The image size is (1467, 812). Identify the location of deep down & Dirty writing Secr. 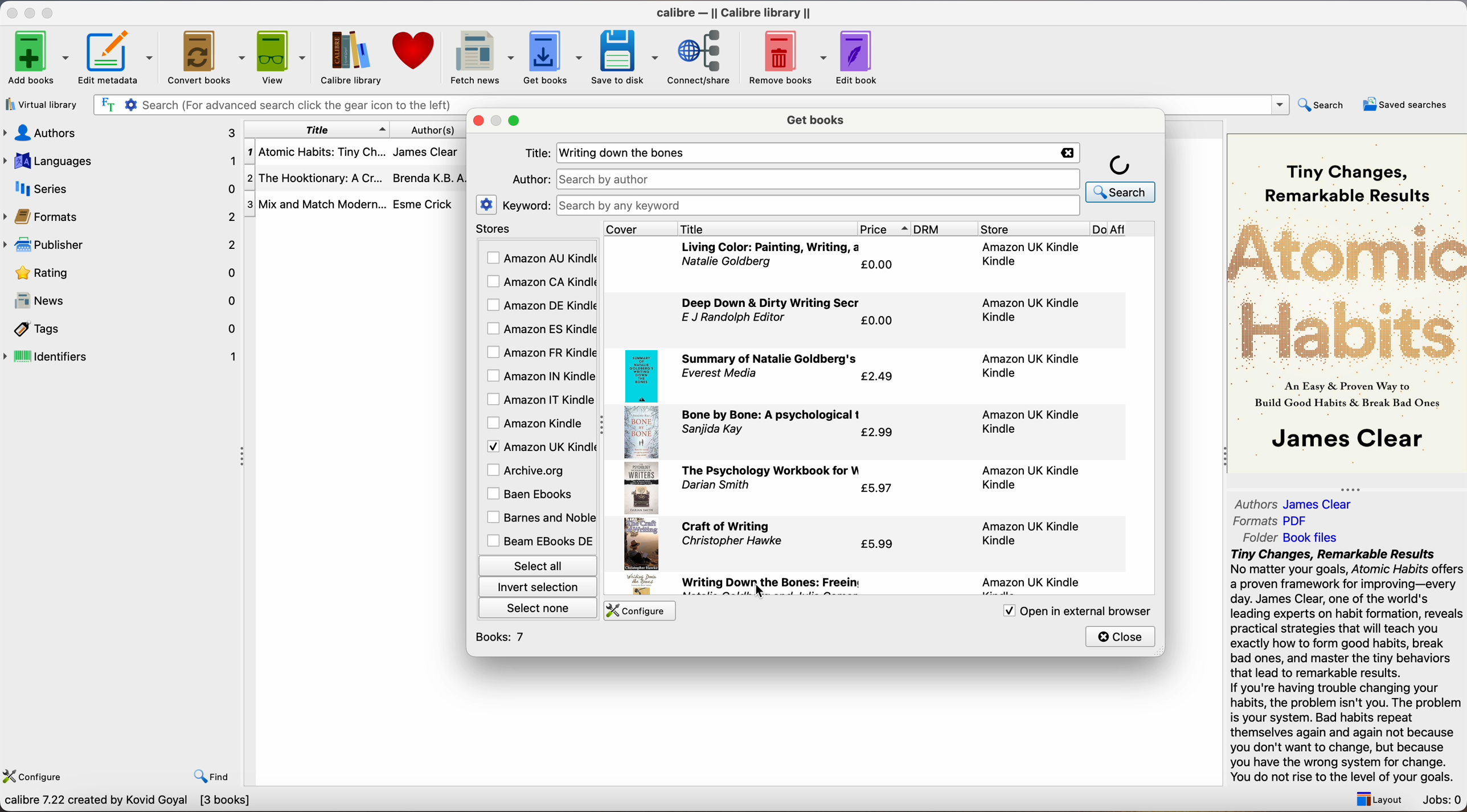
(775, 303).